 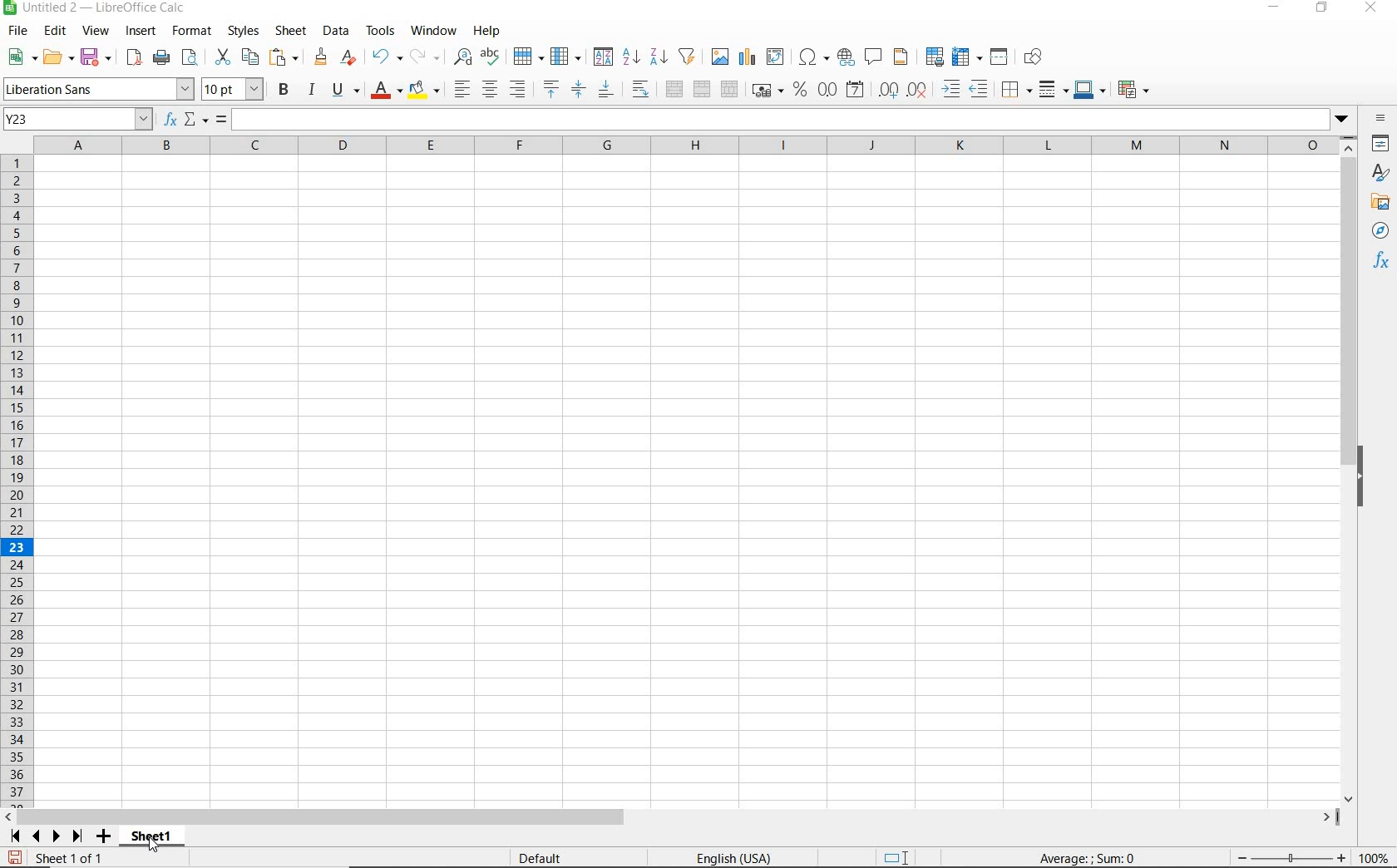 I want to click on empty cells, so click(x=688, y=483).